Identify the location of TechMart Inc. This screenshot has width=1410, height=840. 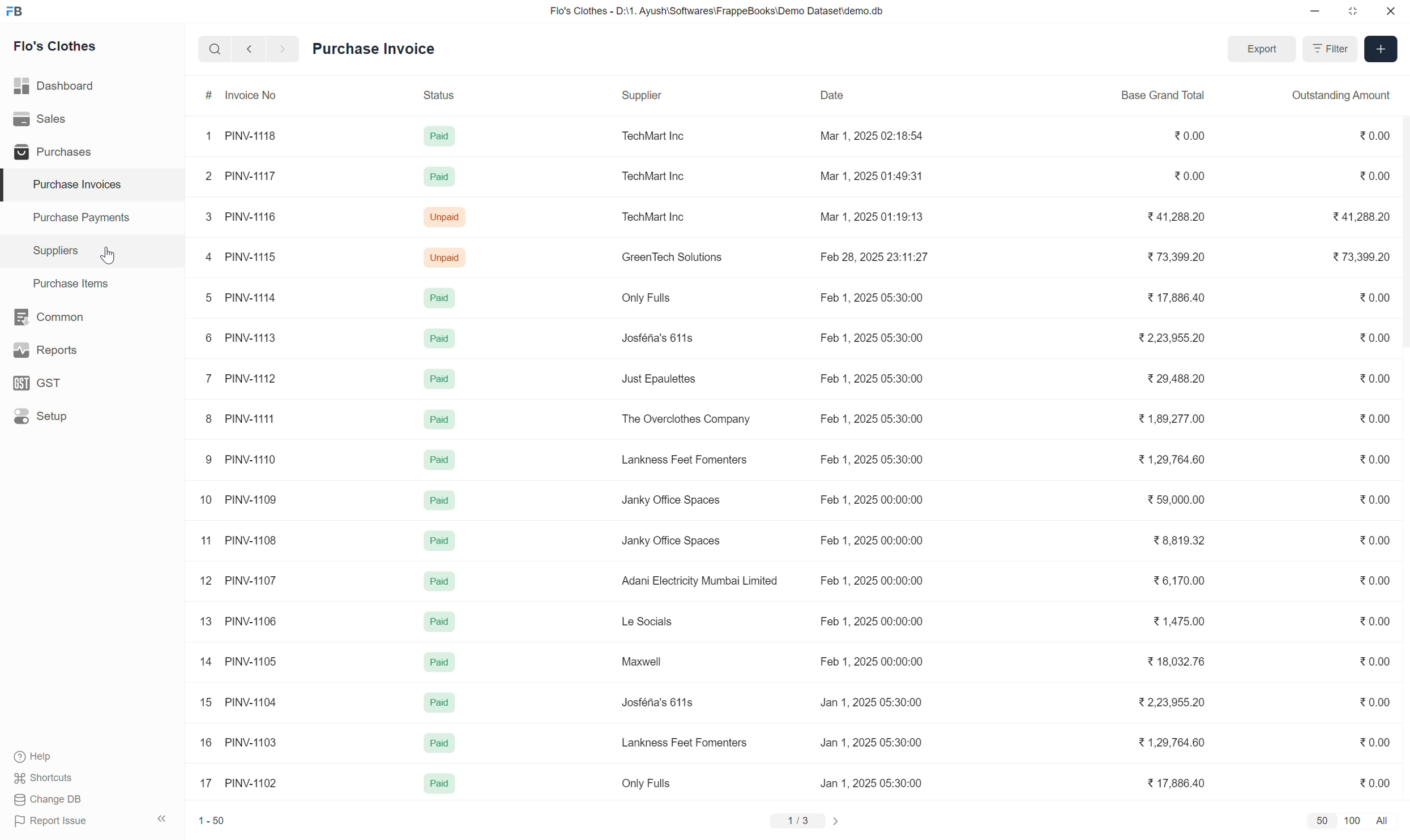
(647, 135).